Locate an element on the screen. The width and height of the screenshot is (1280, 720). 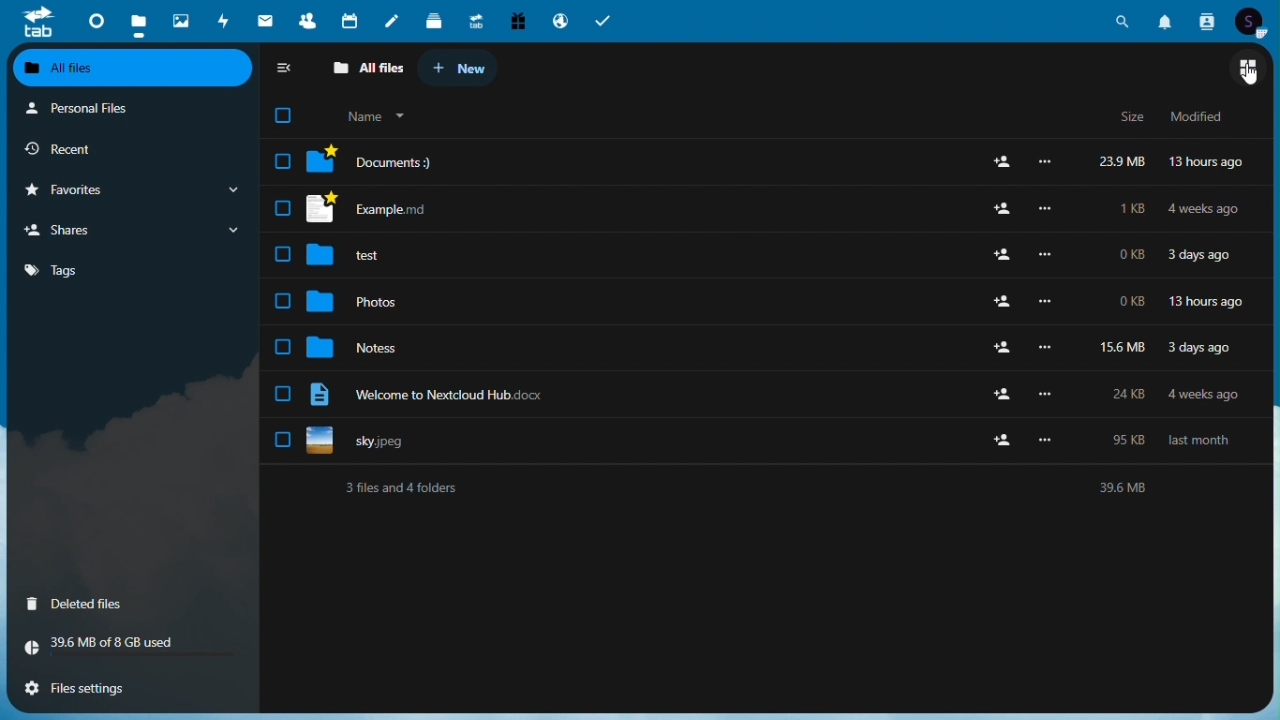
more options is located at coordinates (1046, 163).